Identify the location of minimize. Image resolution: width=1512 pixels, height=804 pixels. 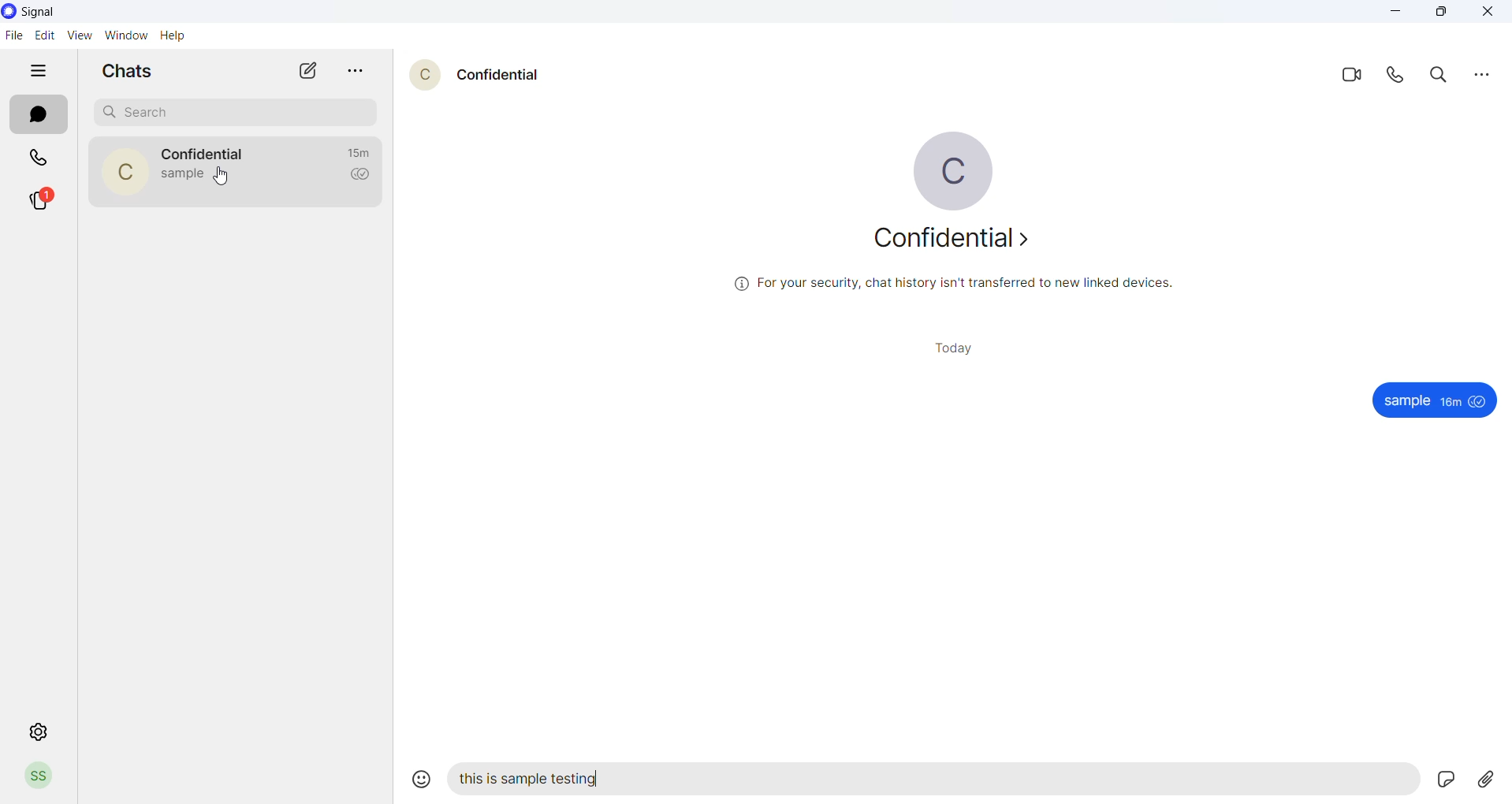
(1395, 14).